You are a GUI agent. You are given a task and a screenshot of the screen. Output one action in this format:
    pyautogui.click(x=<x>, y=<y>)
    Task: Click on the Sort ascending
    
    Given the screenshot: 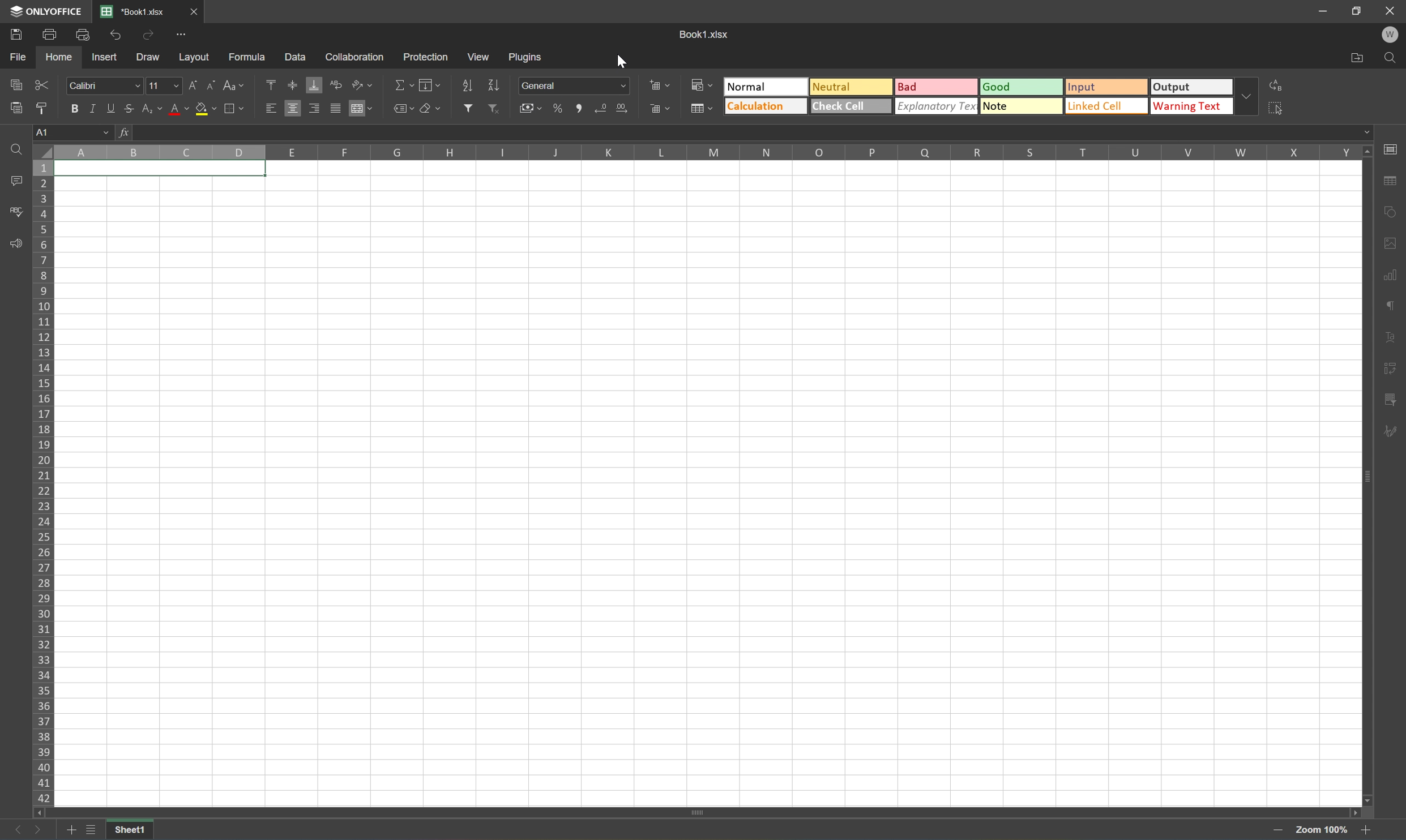 What is the action you would take?
    pyautogui.click(x=468, y=85)
    